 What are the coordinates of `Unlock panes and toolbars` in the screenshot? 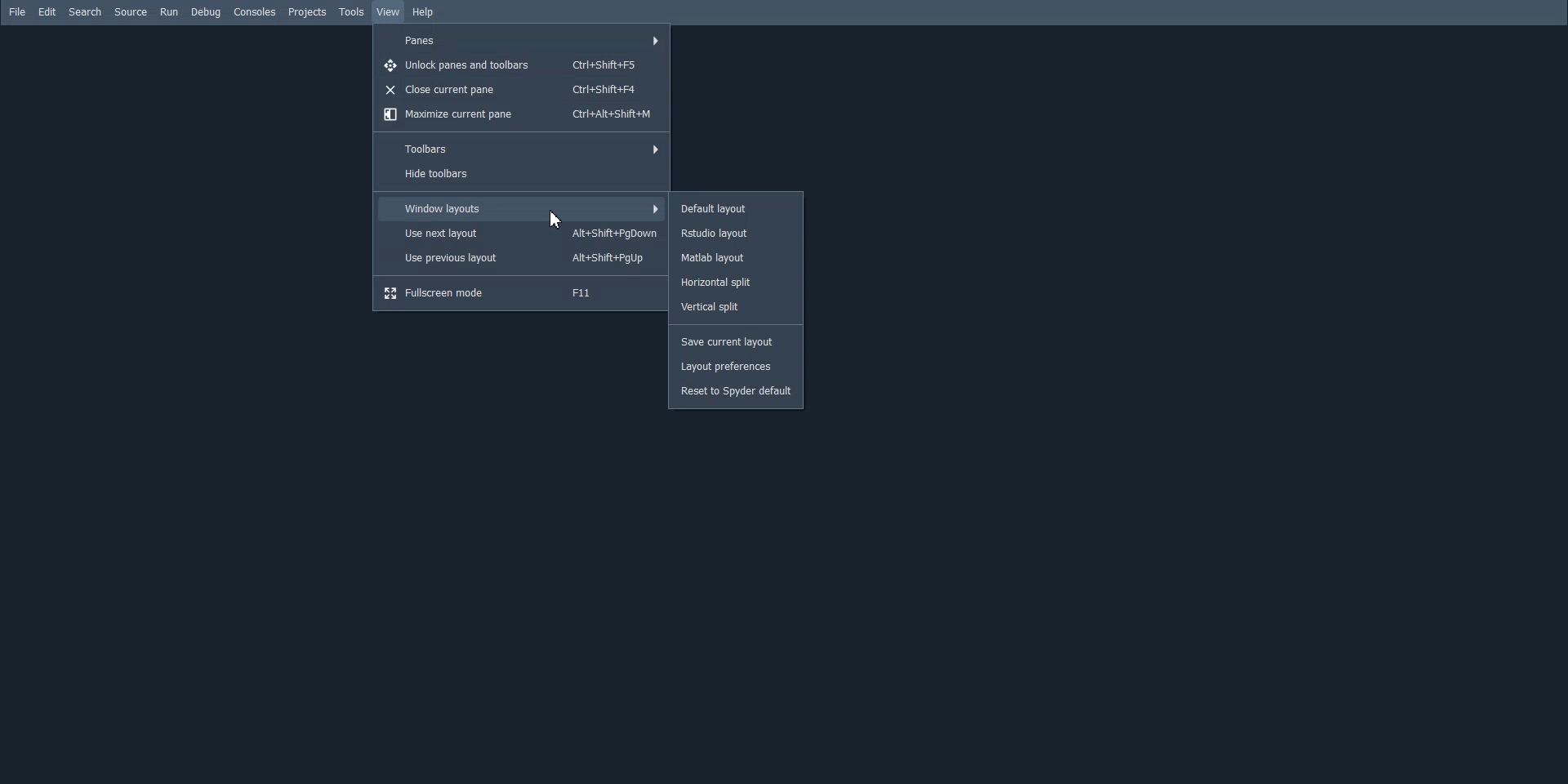 It's located at (519, 66).